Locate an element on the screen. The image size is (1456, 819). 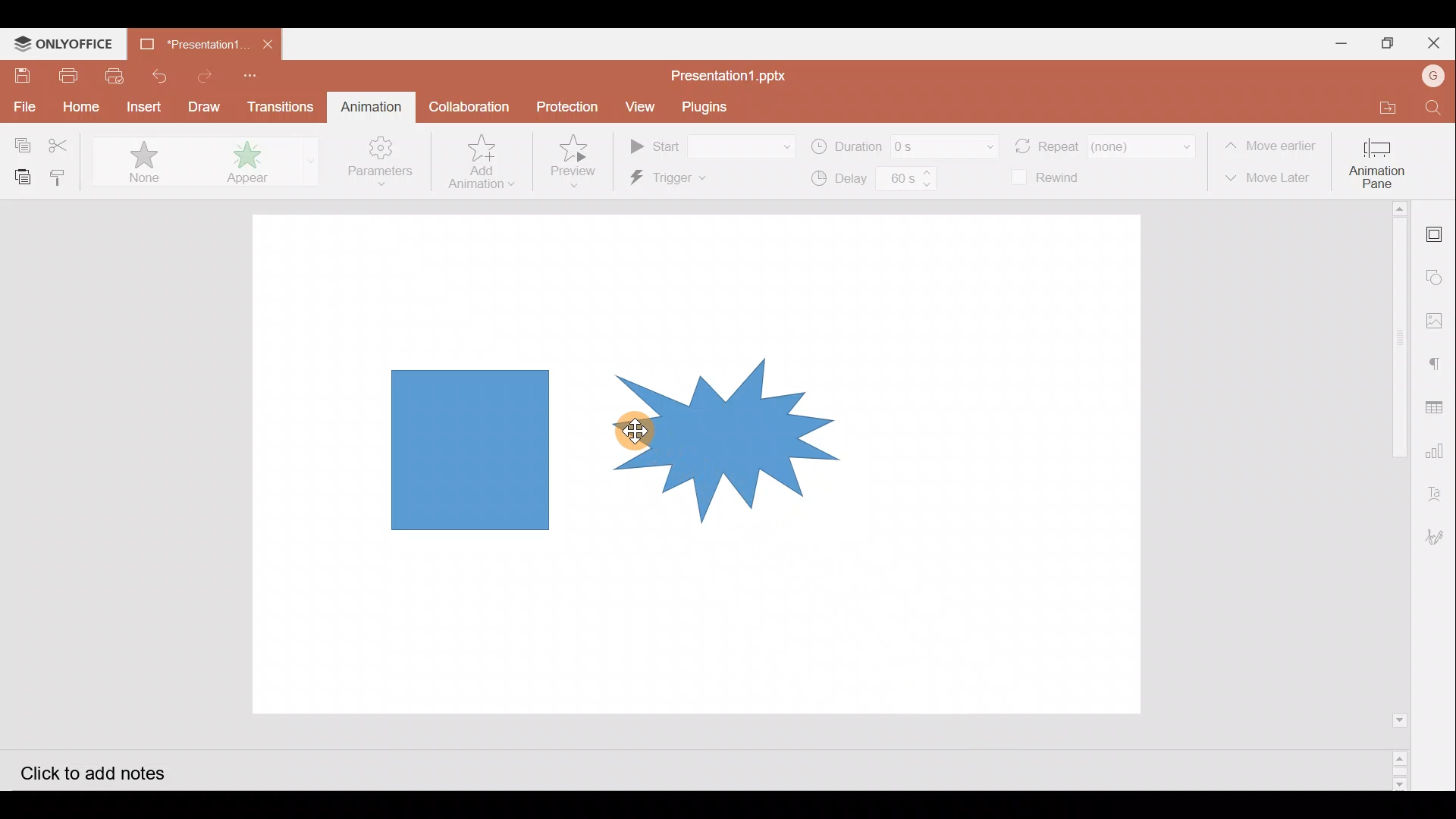
Table settings is located at coordinates (1438, 407).